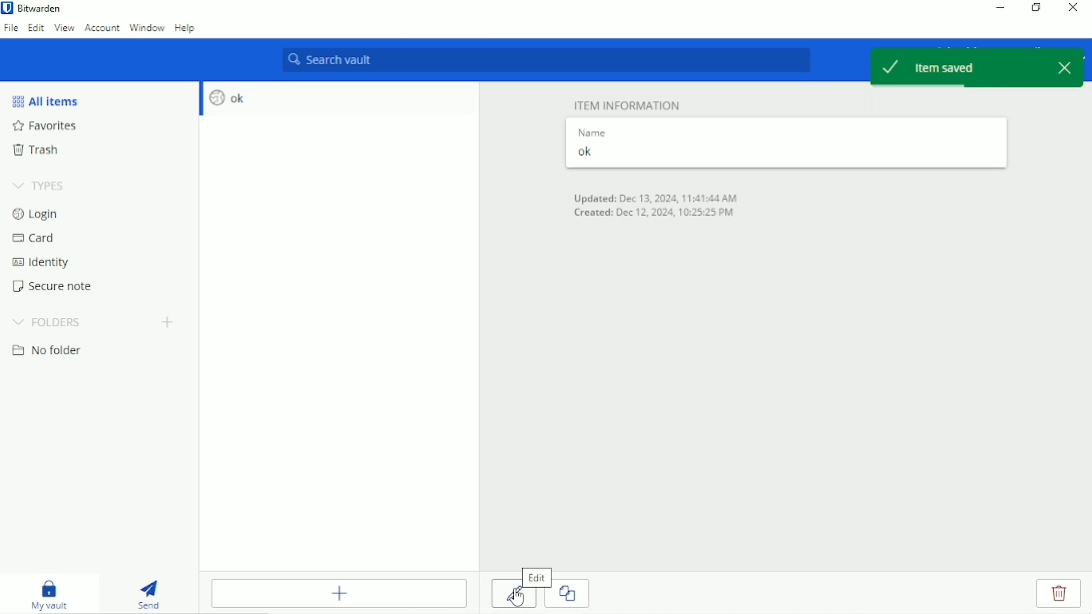 The height and width of the screenshot is (614, 1092). Describe the element at coordinates (48, 322) in the screenshot. I see `Folders` at that location.